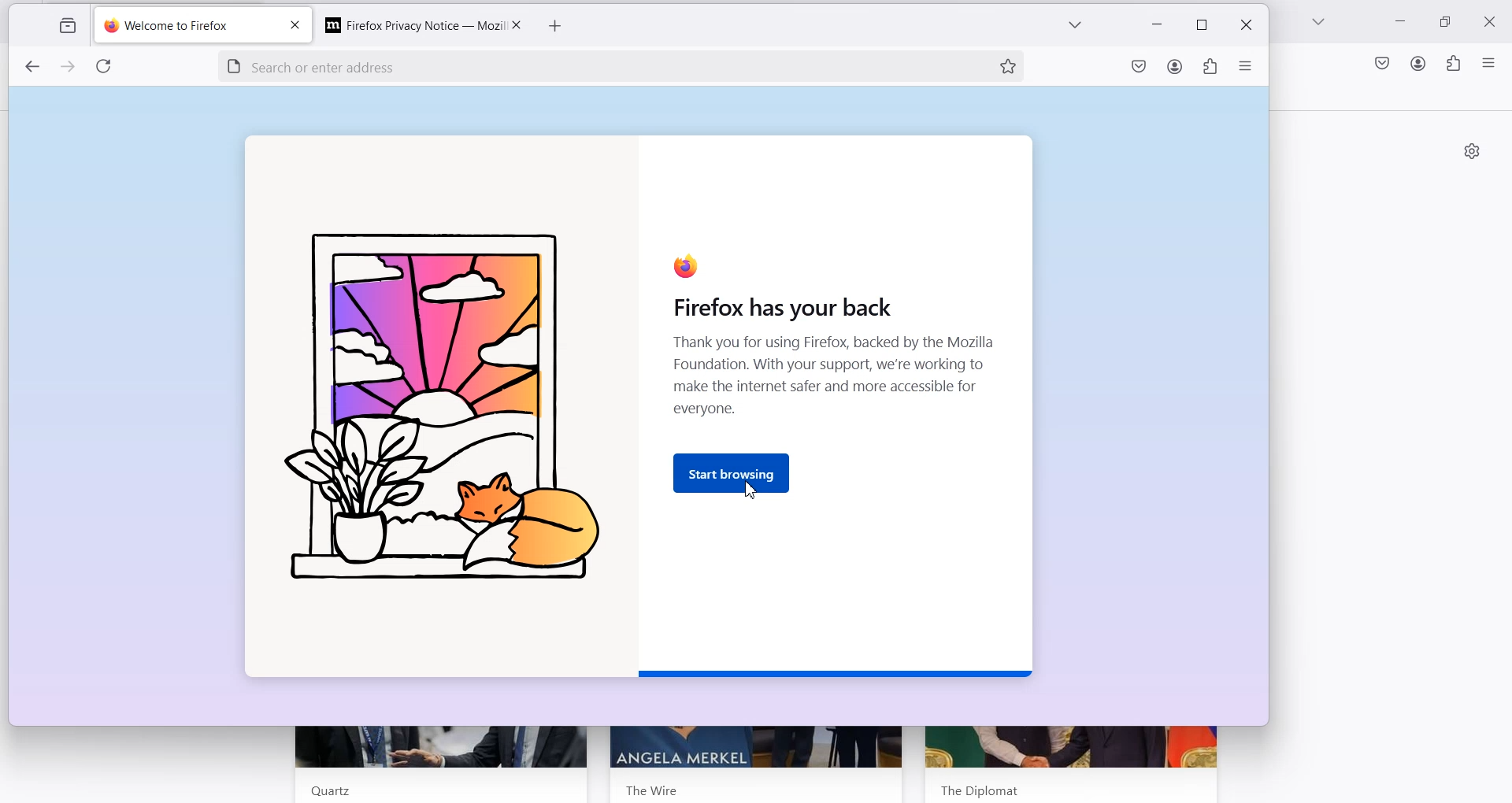 This screenshot has height=803, width=1512. I want to click on Quartz, so click(324, 790).